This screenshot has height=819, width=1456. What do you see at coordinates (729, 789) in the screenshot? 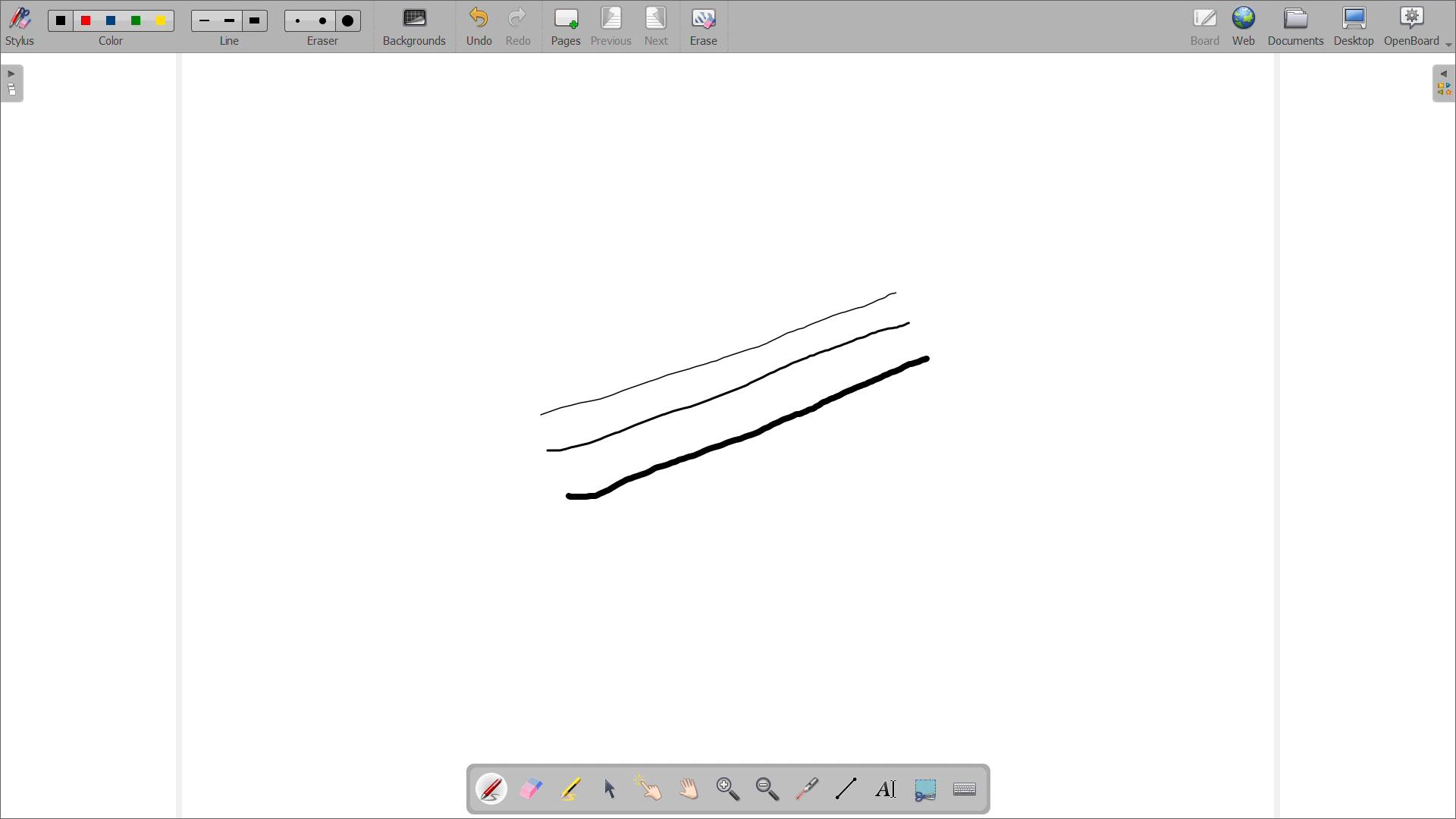
I see `zoom in` at bounding box center [729, 789].